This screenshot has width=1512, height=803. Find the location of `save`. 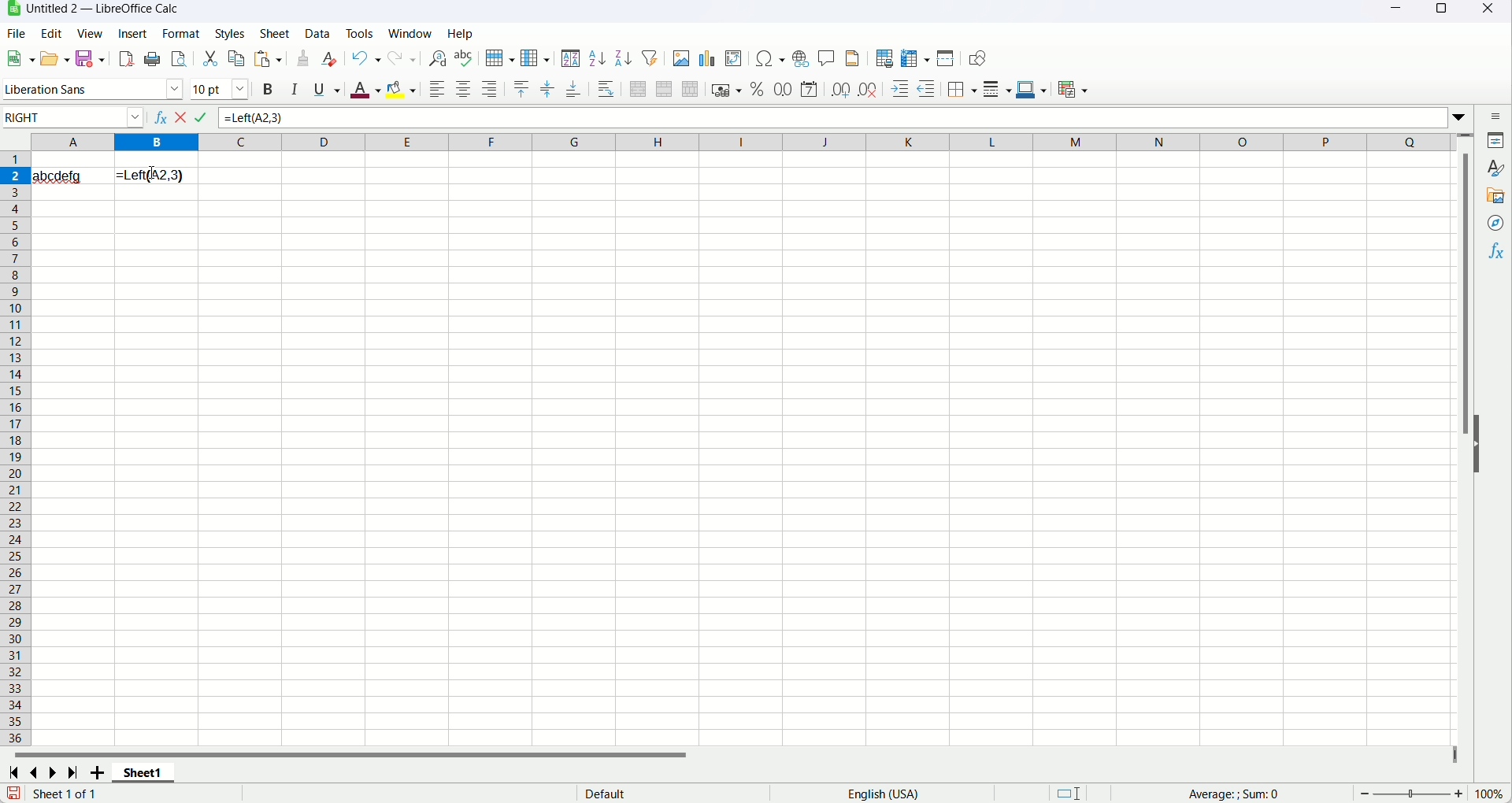

save is located at coordinates (91, 58).